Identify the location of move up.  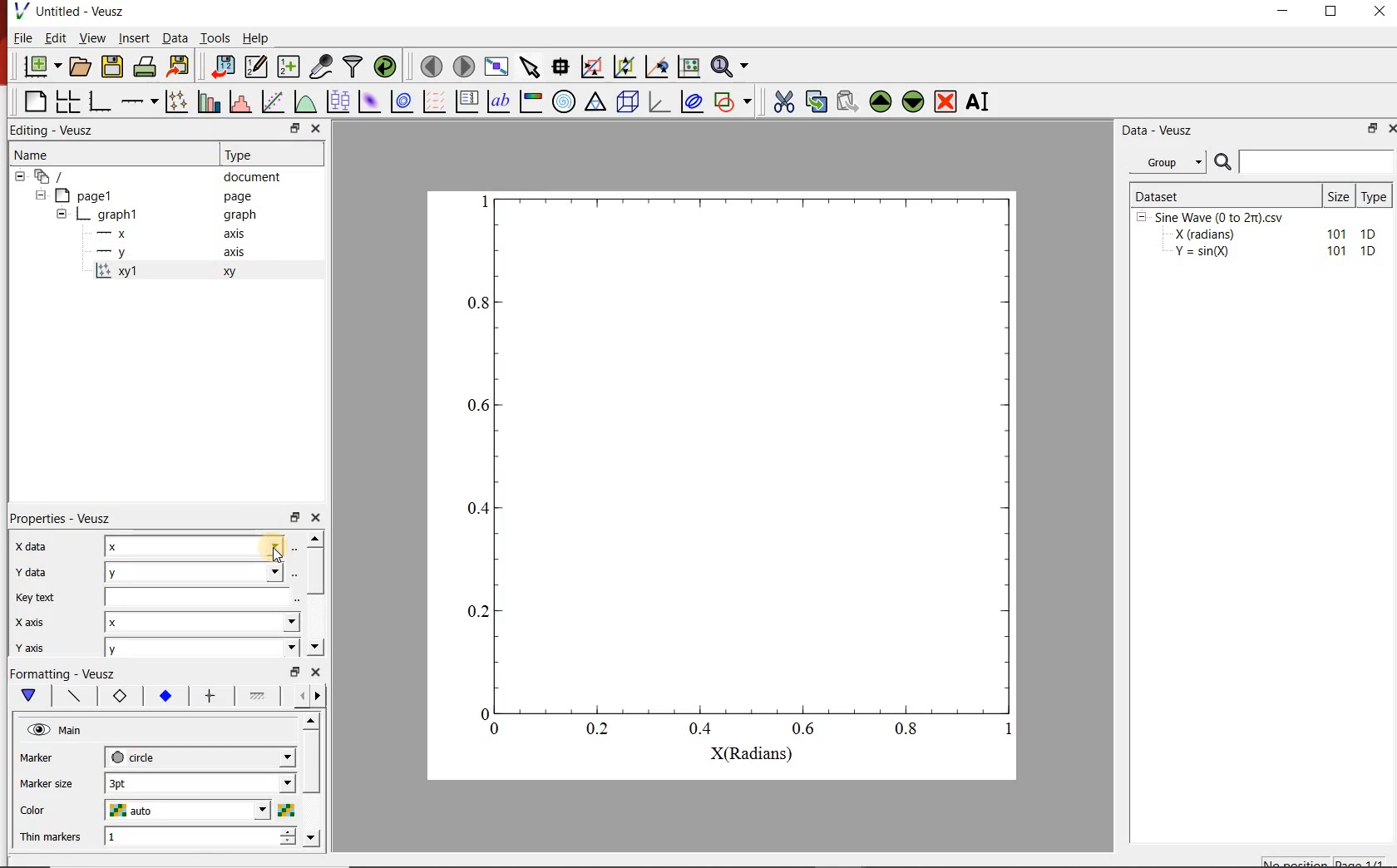
(881, 101).